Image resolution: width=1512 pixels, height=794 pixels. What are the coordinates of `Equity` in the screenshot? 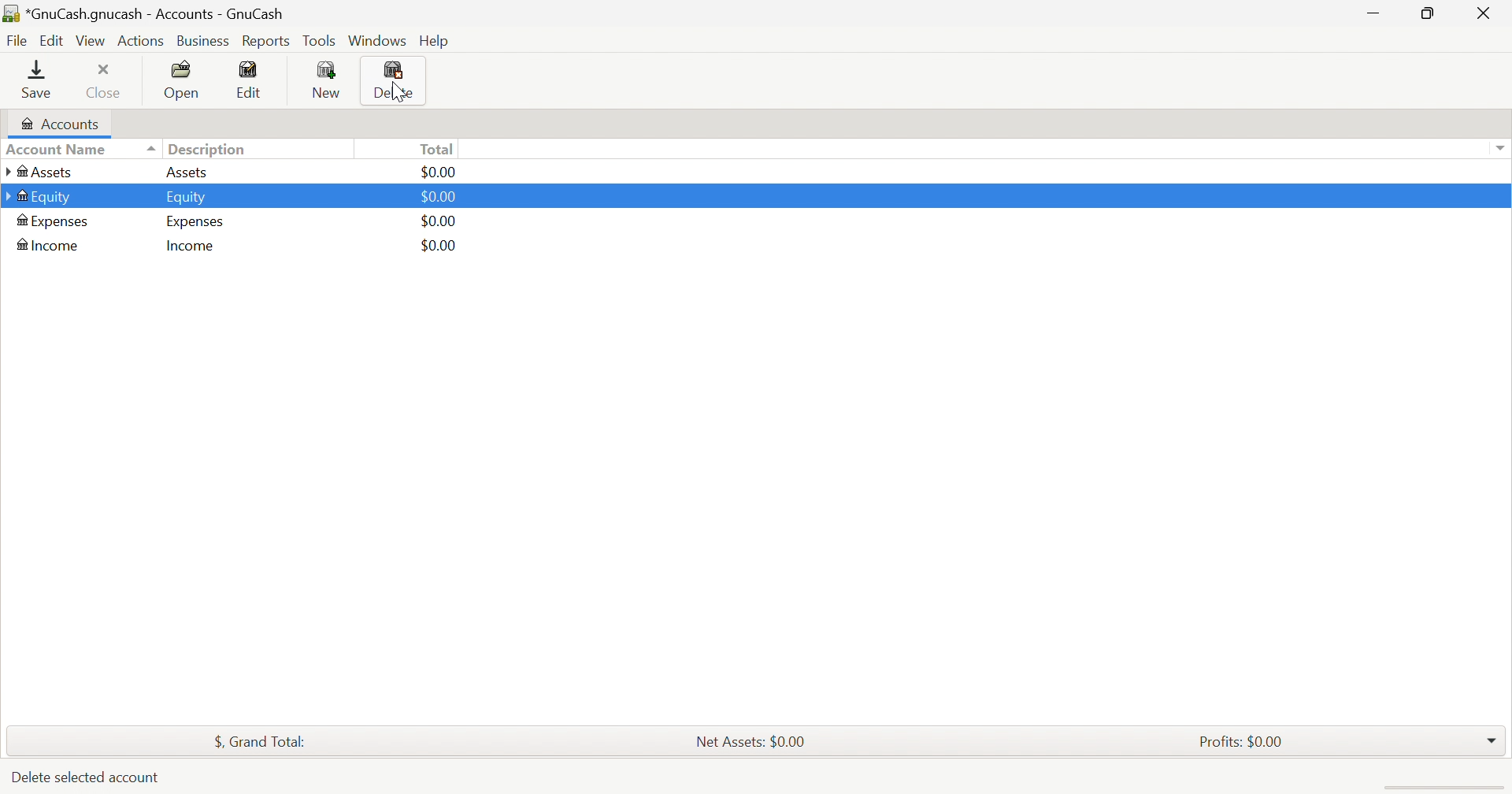 It's located at (187, 195).